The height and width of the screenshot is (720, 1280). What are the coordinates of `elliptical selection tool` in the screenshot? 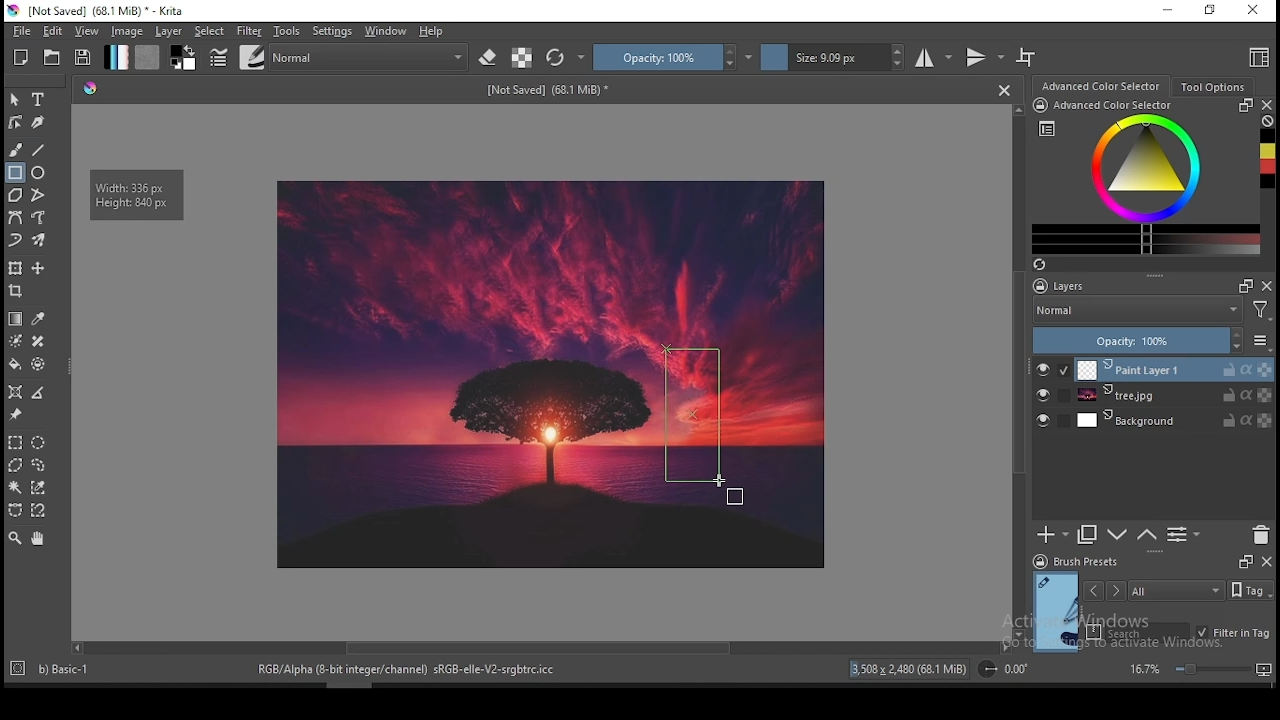 It's located at (39, 440).